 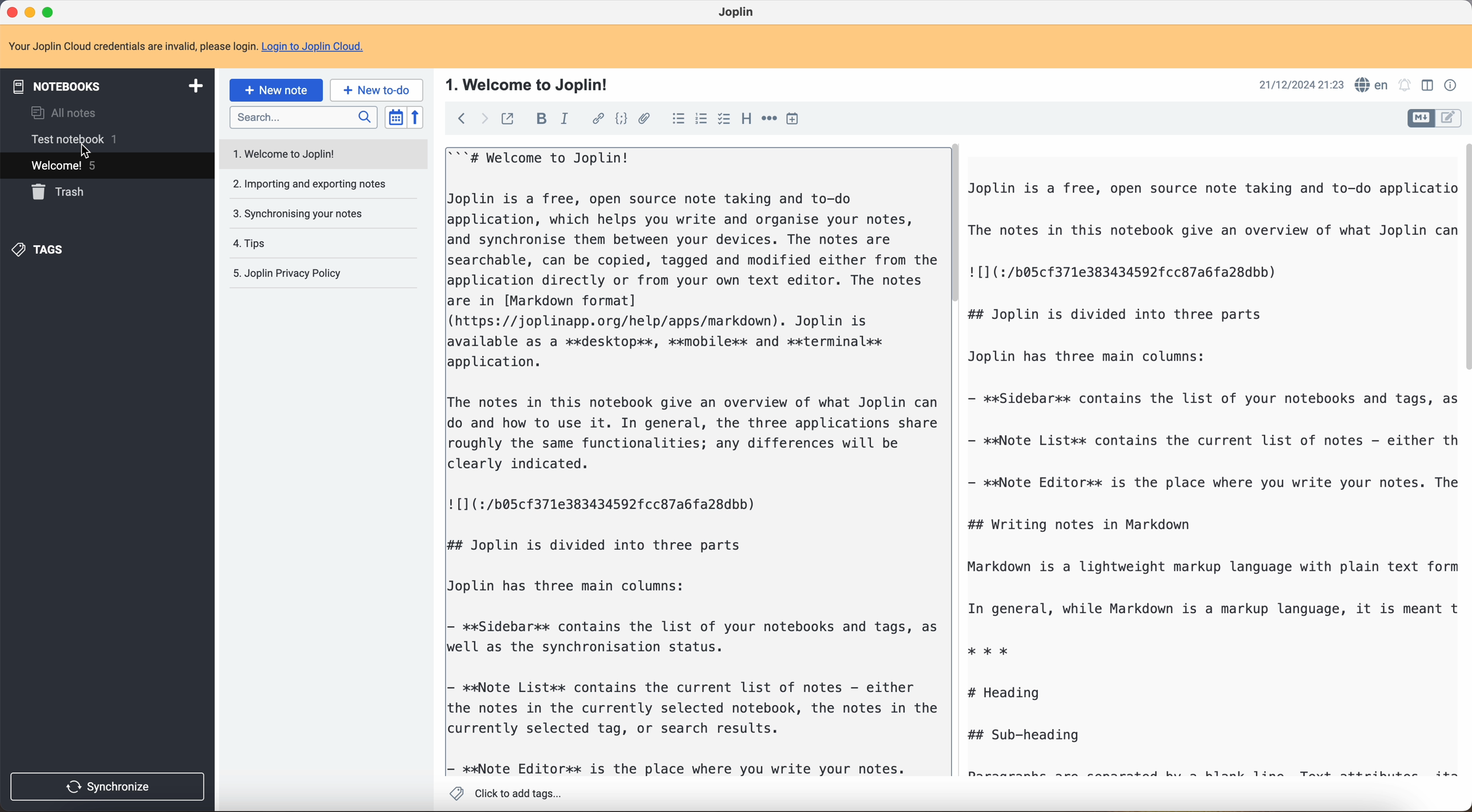 I want to click on Click to add tags, so click(x=512, y=794).